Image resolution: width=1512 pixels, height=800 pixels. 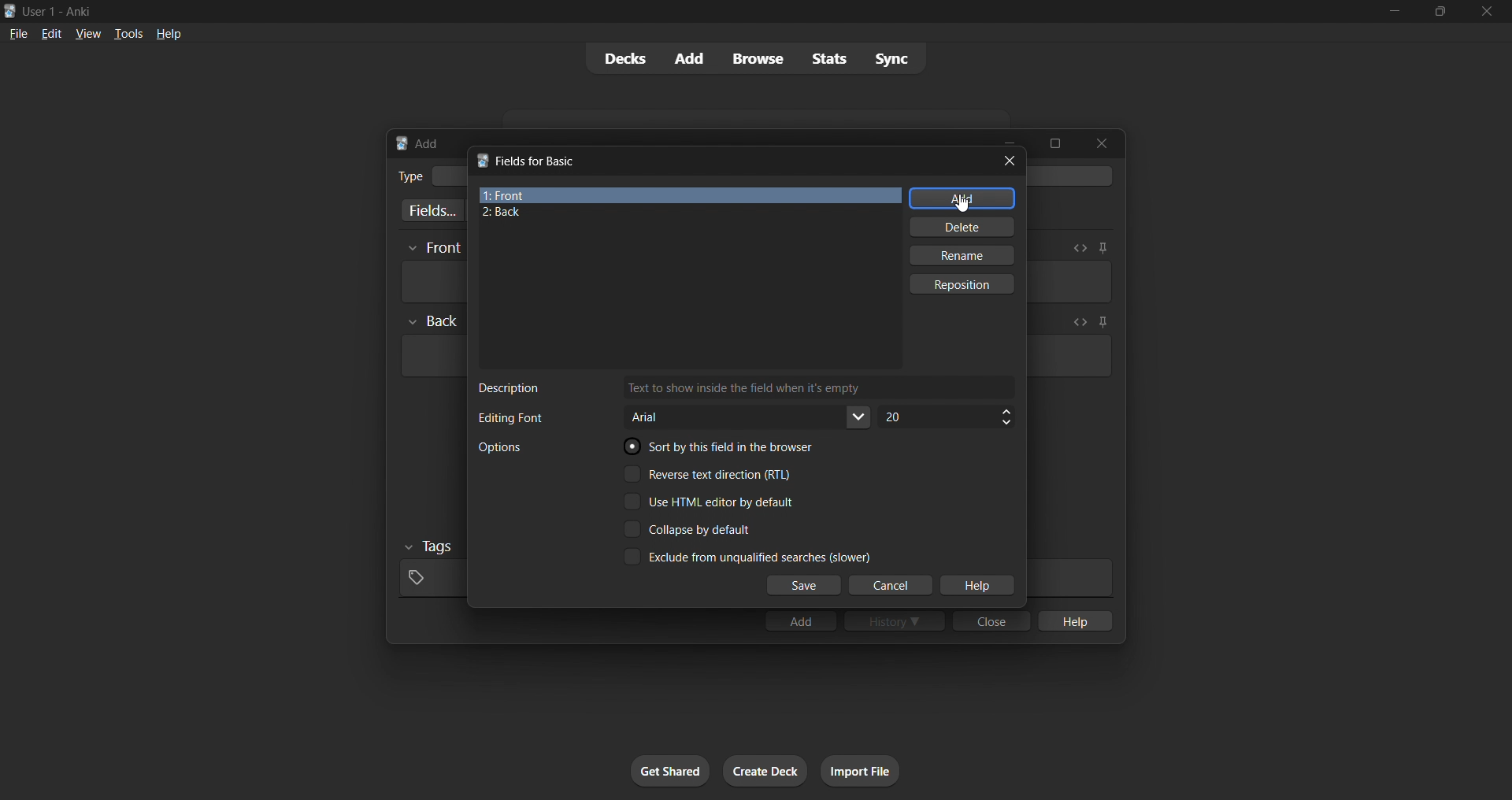 What do you see at coordinates (430, 547) in the screenshot?
I see `` at bounding box center [430, 547].